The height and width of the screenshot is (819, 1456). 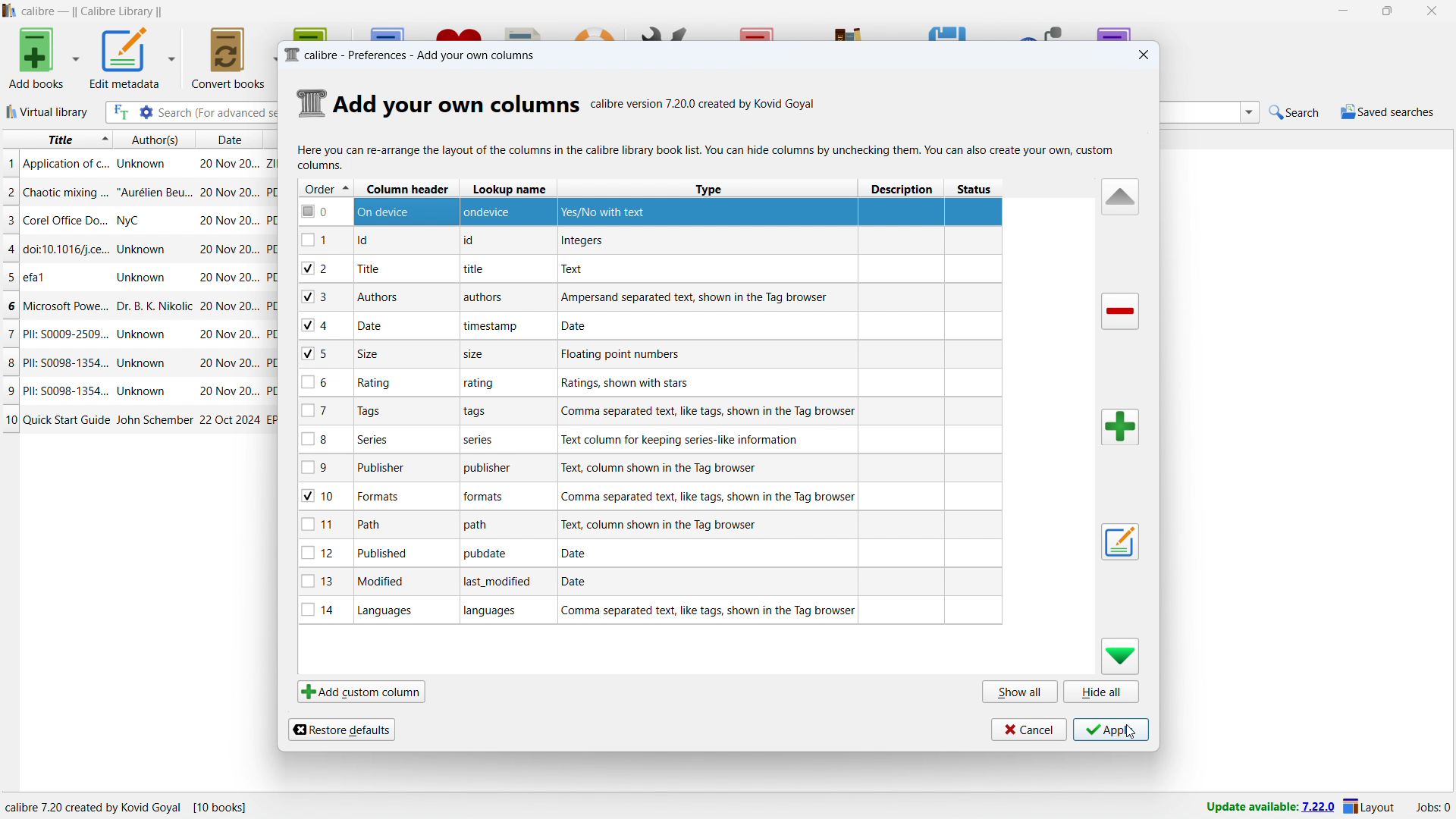 What do you see at coordinates (607, 212) in the screenshot?
I see `yes/No with text` at bounding box center [607, 212].